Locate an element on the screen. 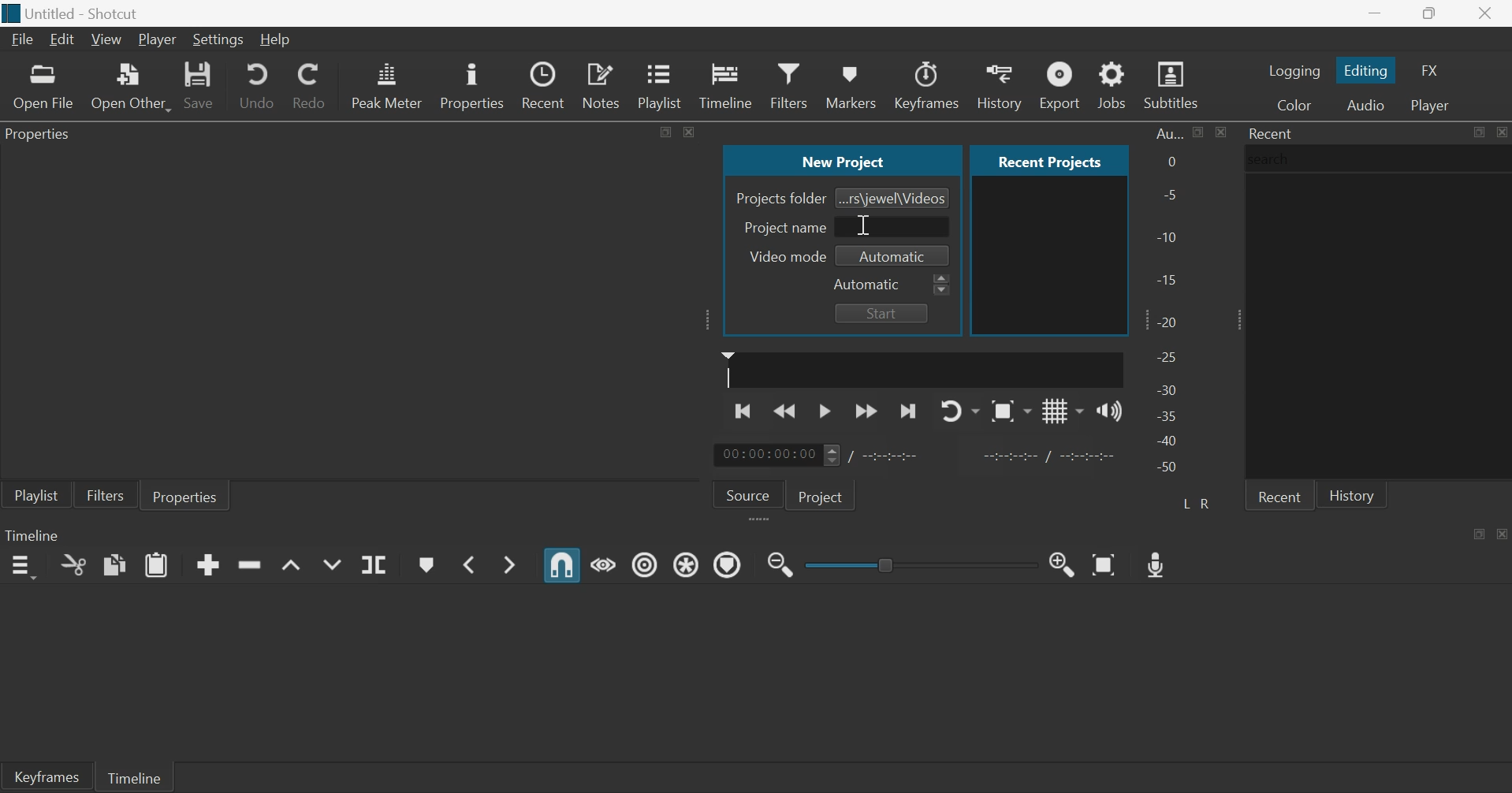  Filters is located at coordinates (788, 84).